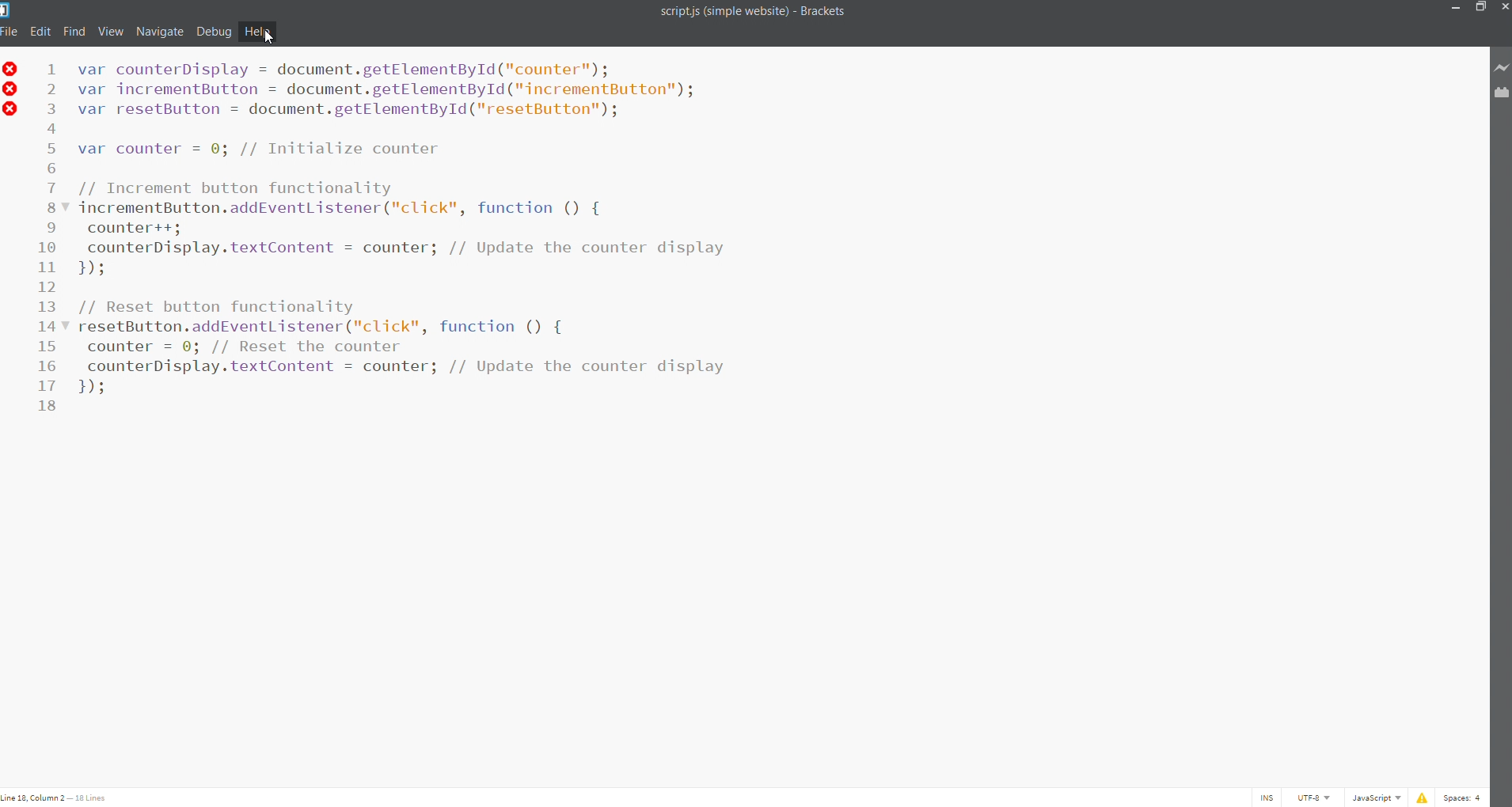  I want to click on maximize/restore, so click(1479, 9).